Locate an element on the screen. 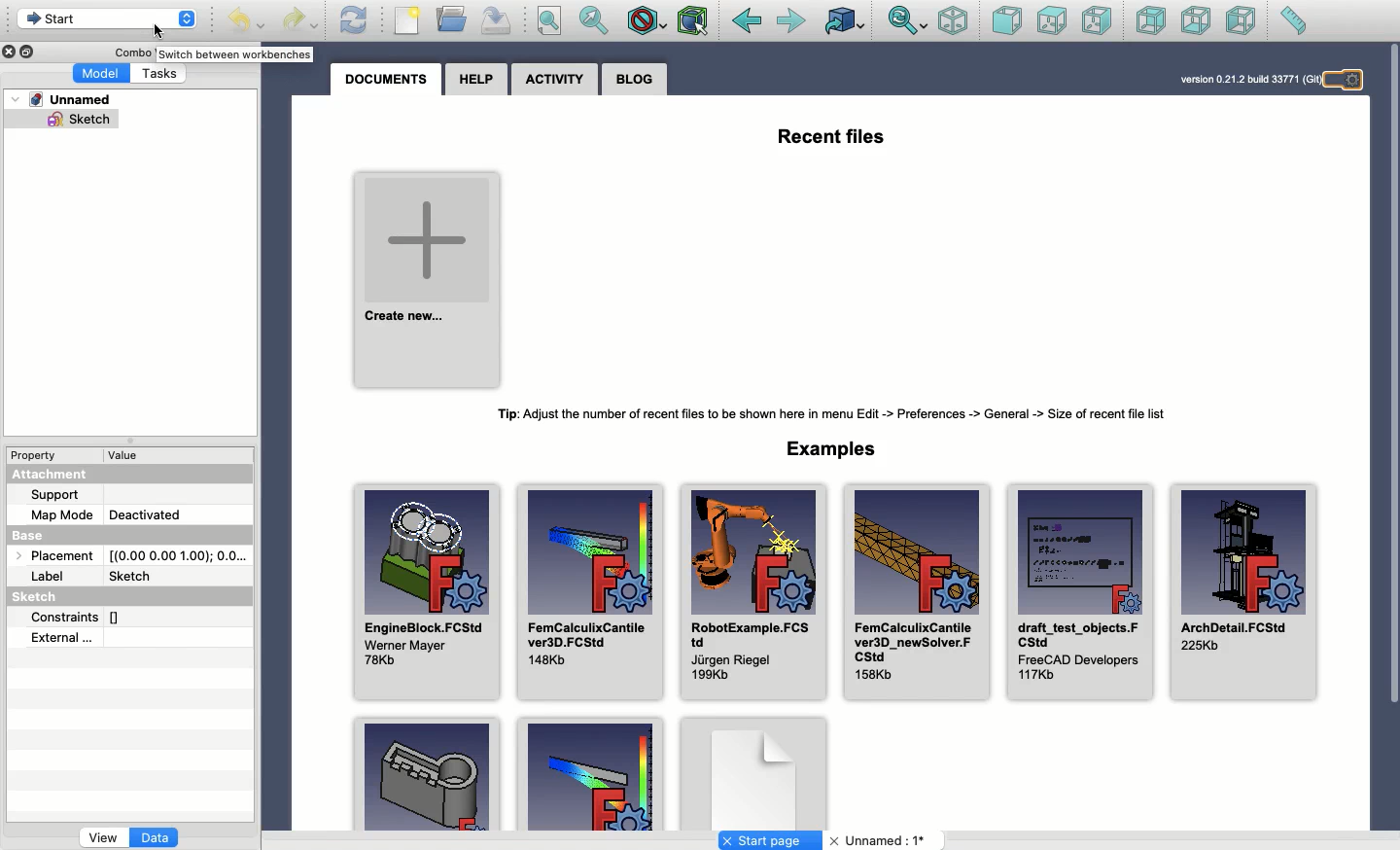 This screenshot has width=1400, height=850. Help is located at coordinates (477, 81).